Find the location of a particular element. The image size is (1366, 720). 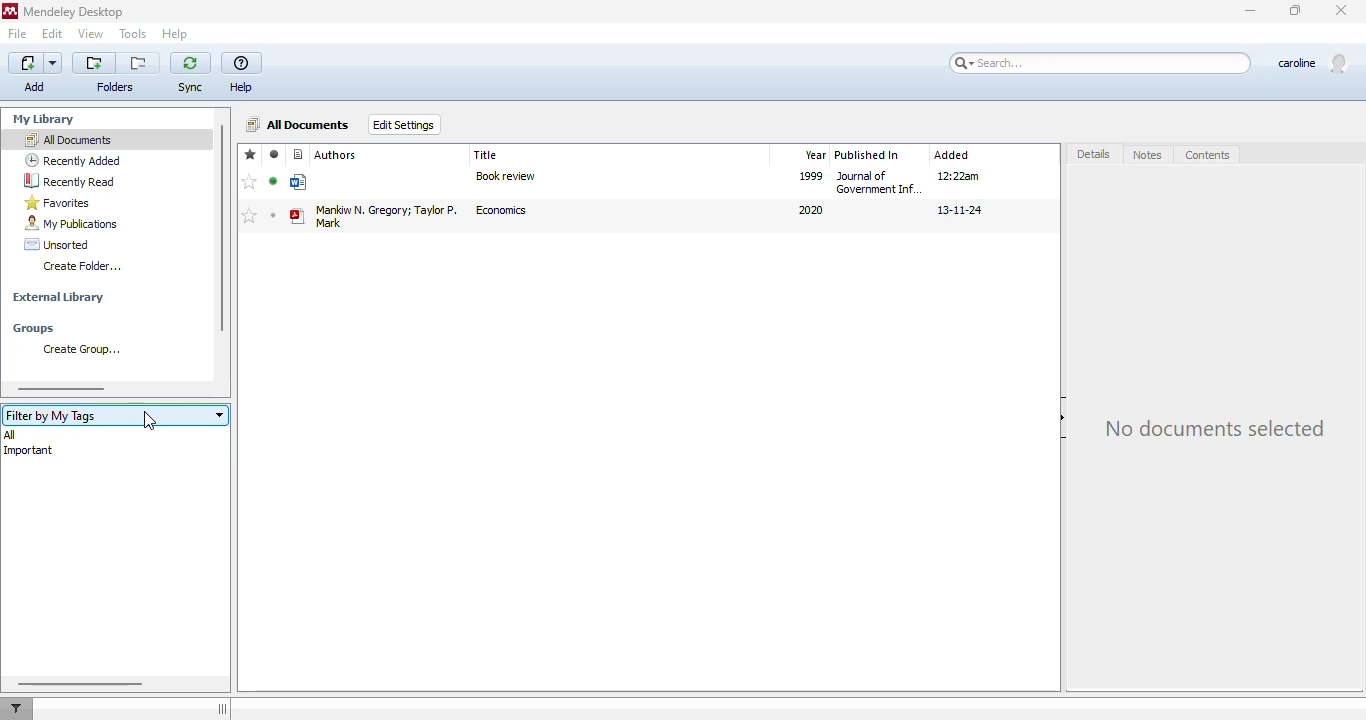

13-11-24 is located at coordinates (960, 211).